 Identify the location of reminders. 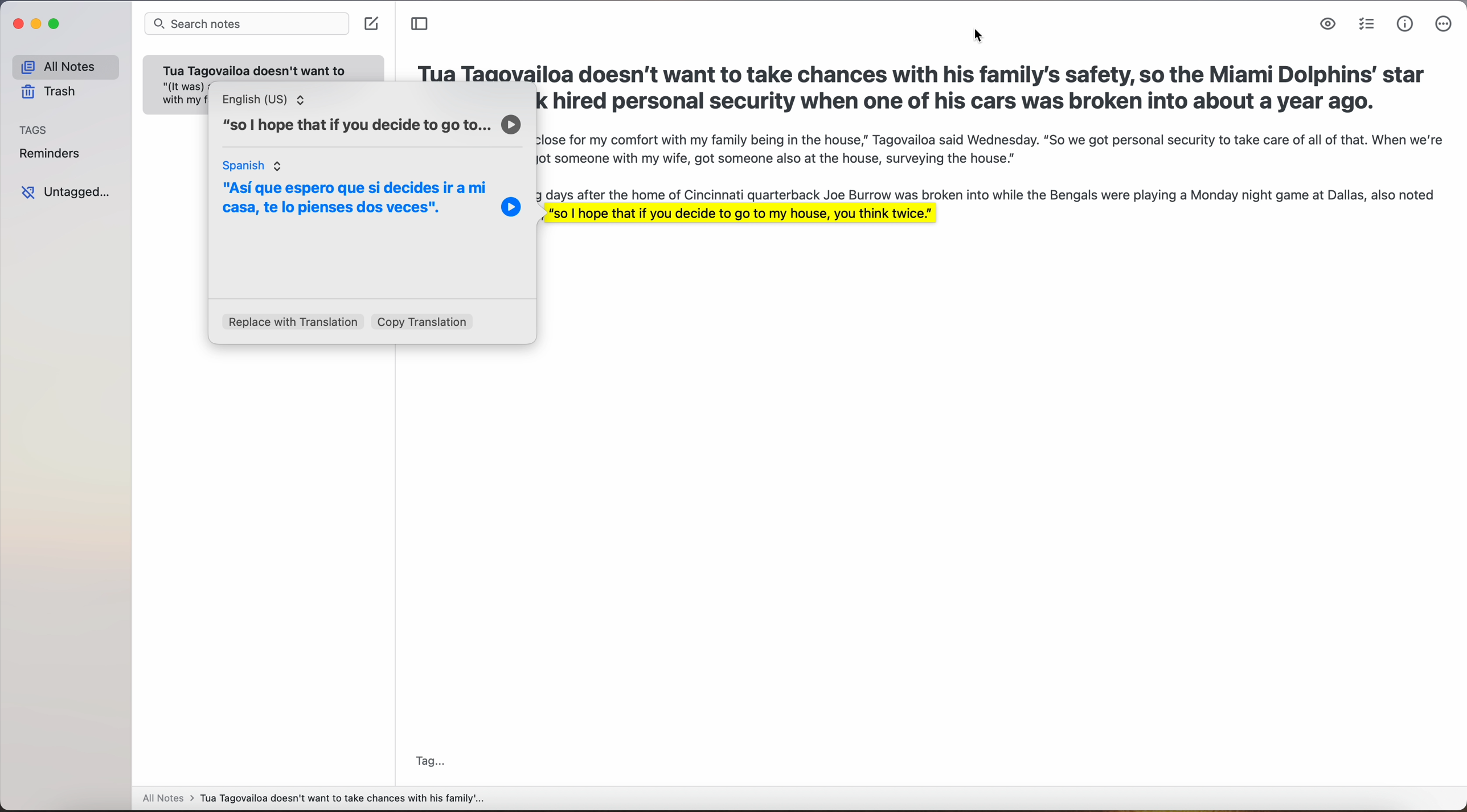
(52, 154).